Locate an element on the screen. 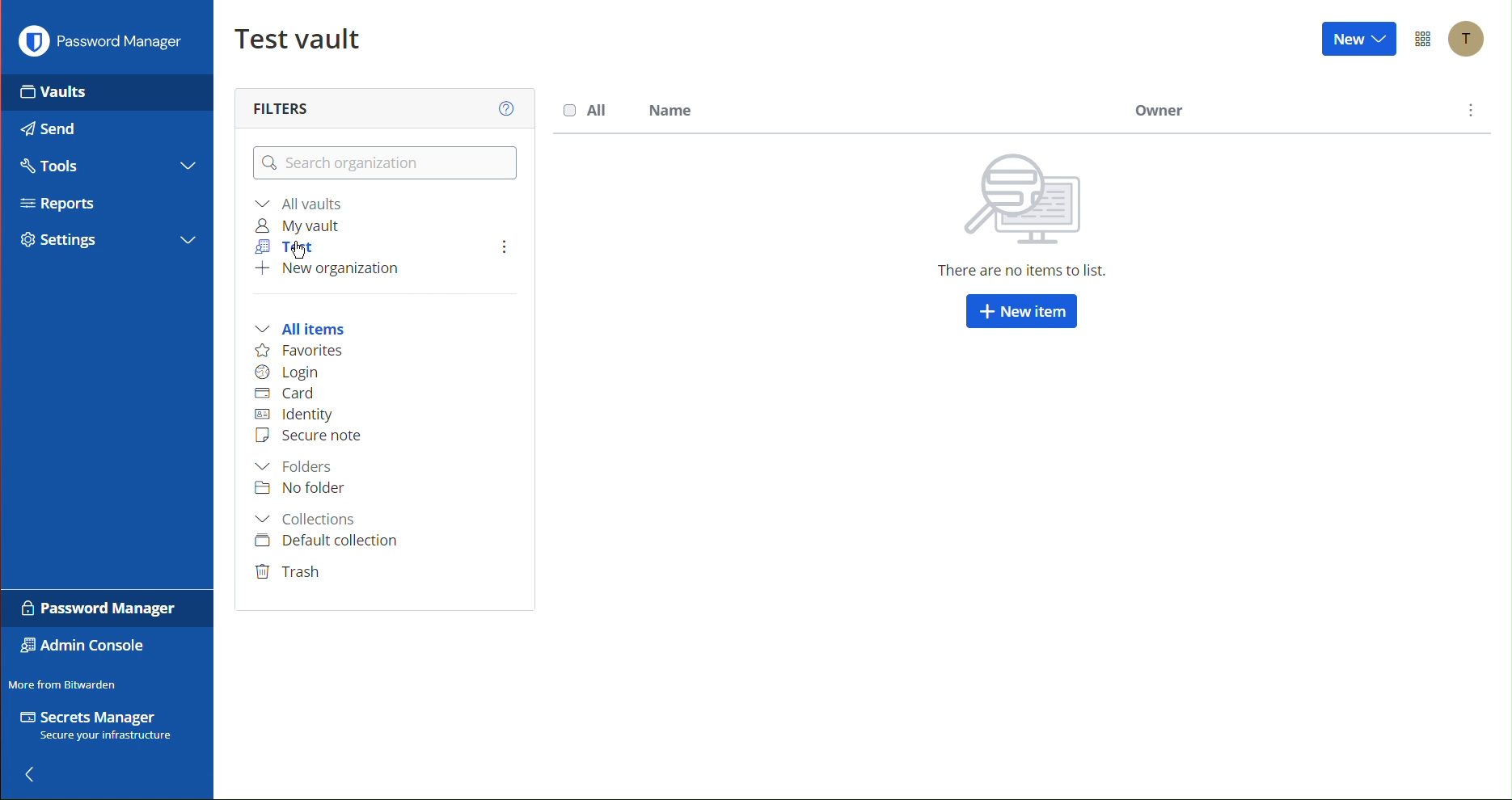 The width and height of the screenshot is (1512, 800). Trash is located at coordinates (289, 570).